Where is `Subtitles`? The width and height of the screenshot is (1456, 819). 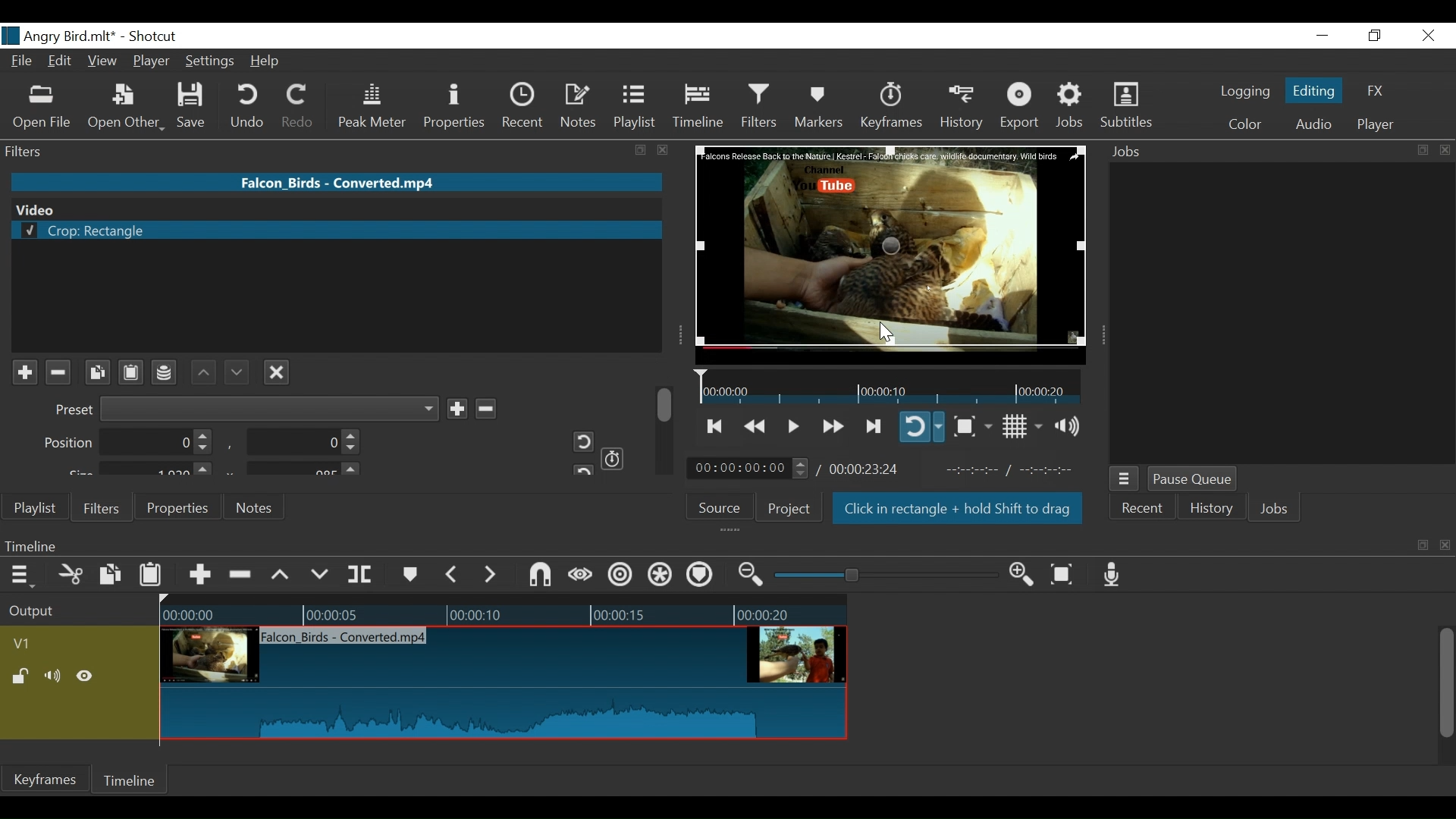 Subtitles is located at coordinates (1126, 105).